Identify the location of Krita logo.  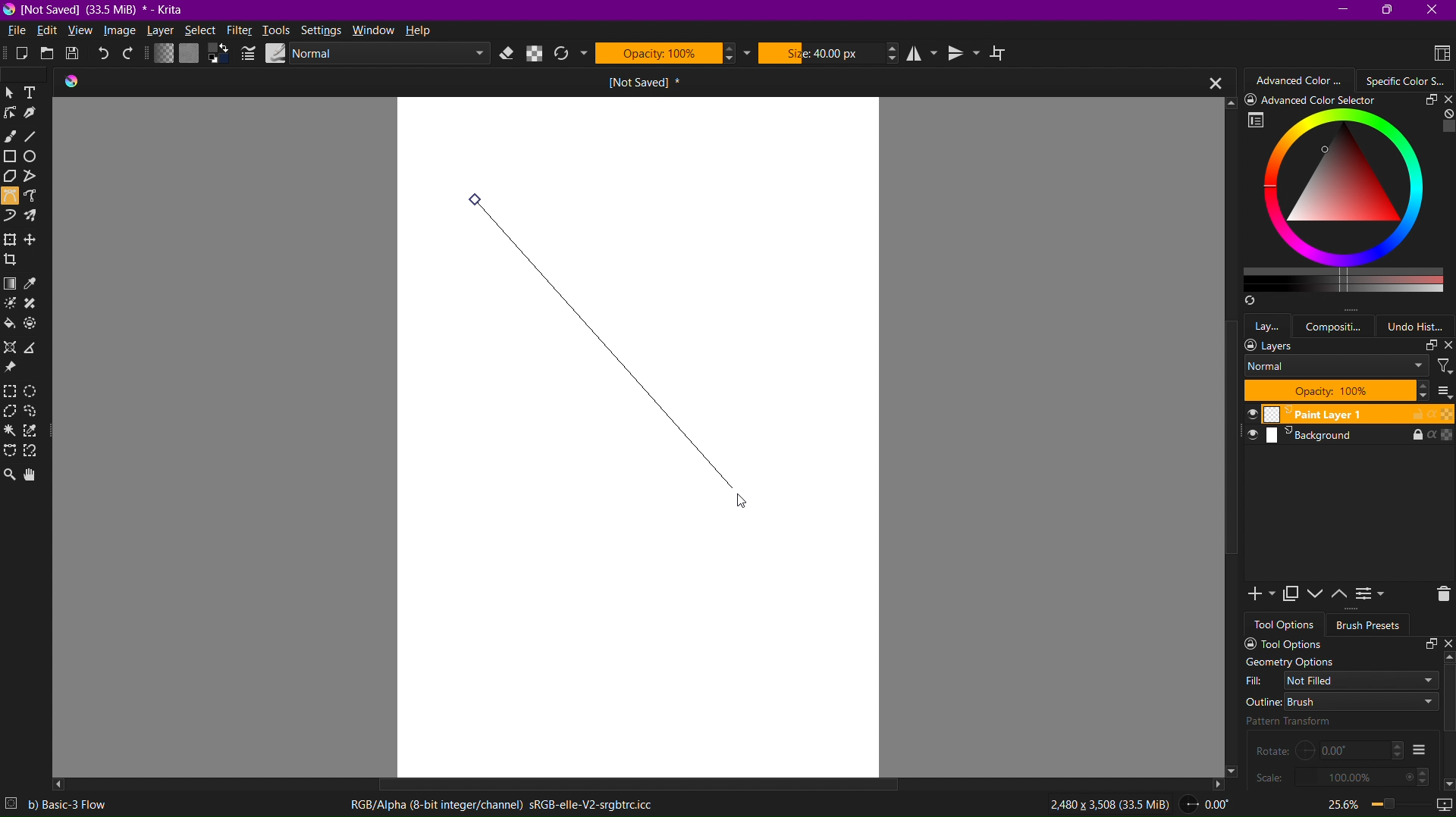
(72, 82).